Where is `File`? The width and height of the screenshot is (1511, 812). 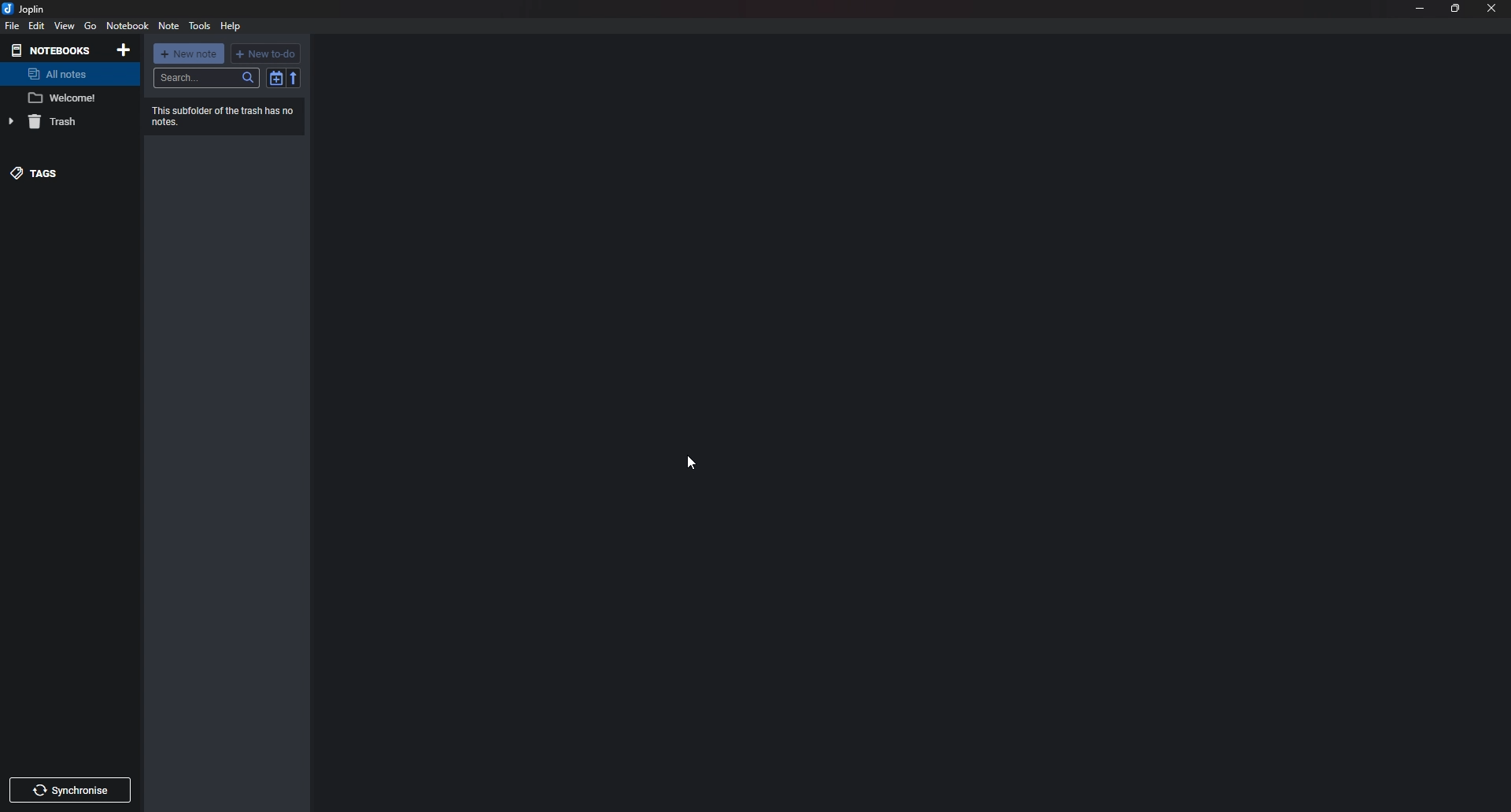 File is located at coordinates (13, 26).